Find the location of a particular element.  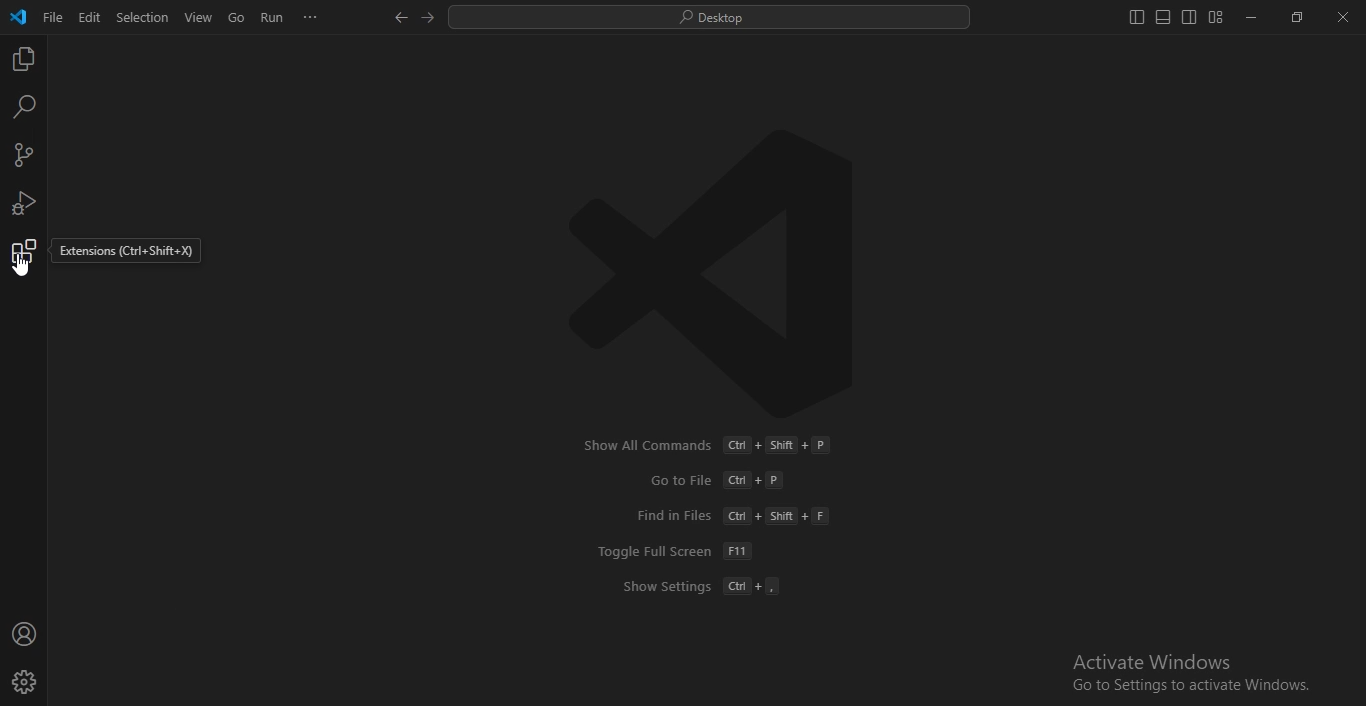

Extensions (Ctrl+Shift+X) is located at coordinates (125, 251).